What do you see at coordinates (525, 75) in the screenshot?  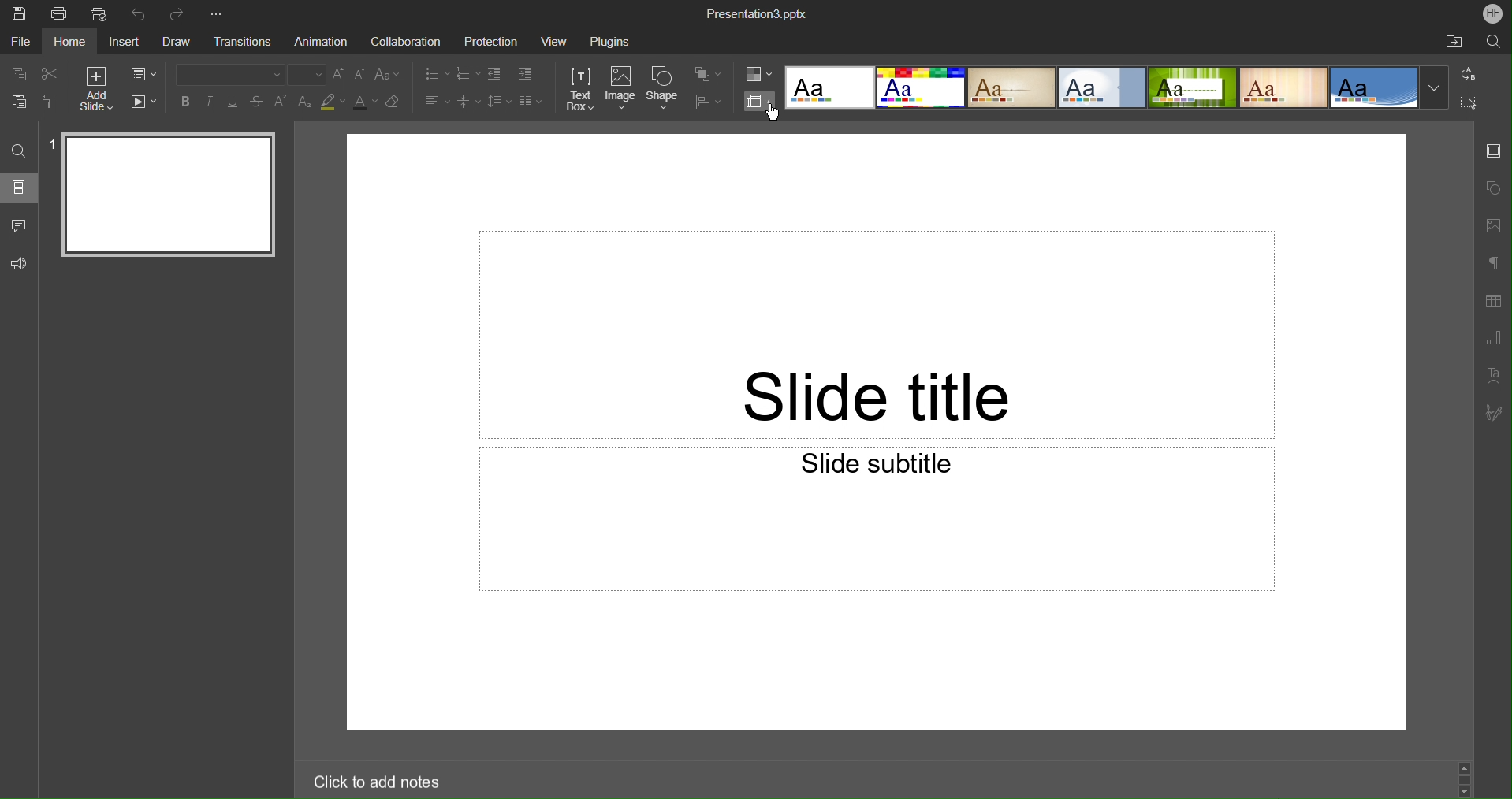 I see `Increase Indent` at bounding box center [525, 75].